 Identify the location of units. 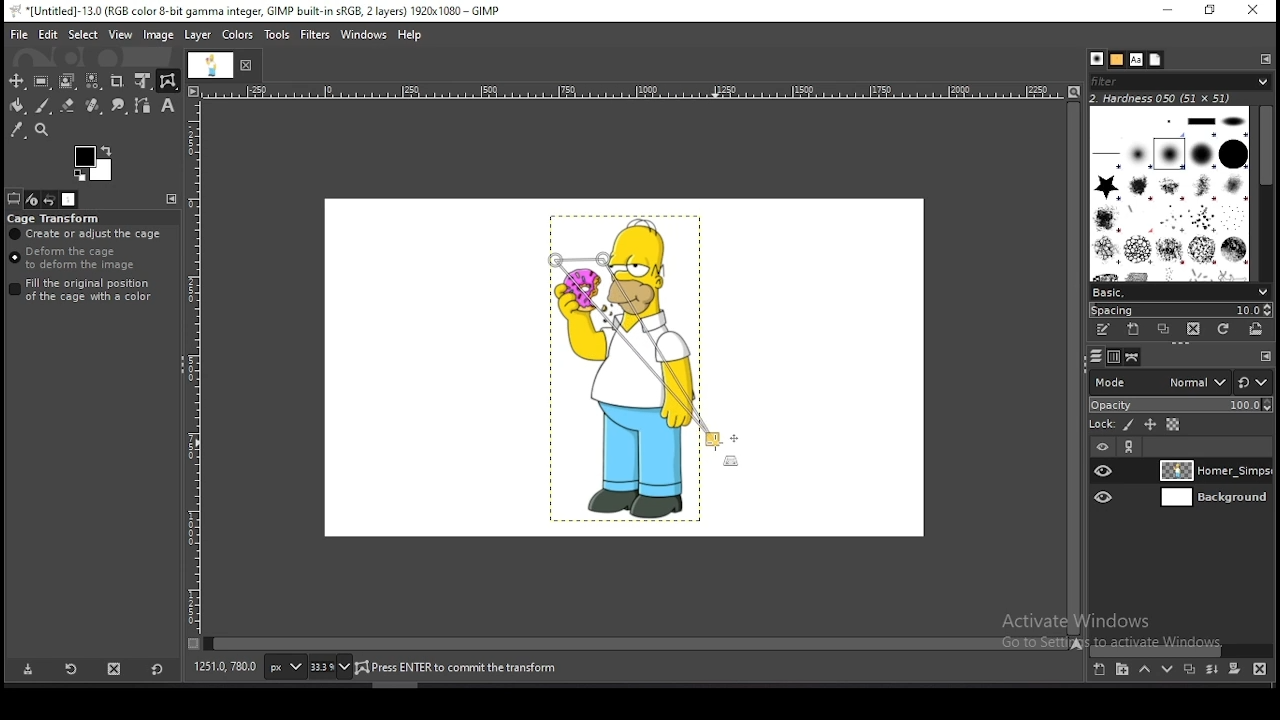
(283, 668).